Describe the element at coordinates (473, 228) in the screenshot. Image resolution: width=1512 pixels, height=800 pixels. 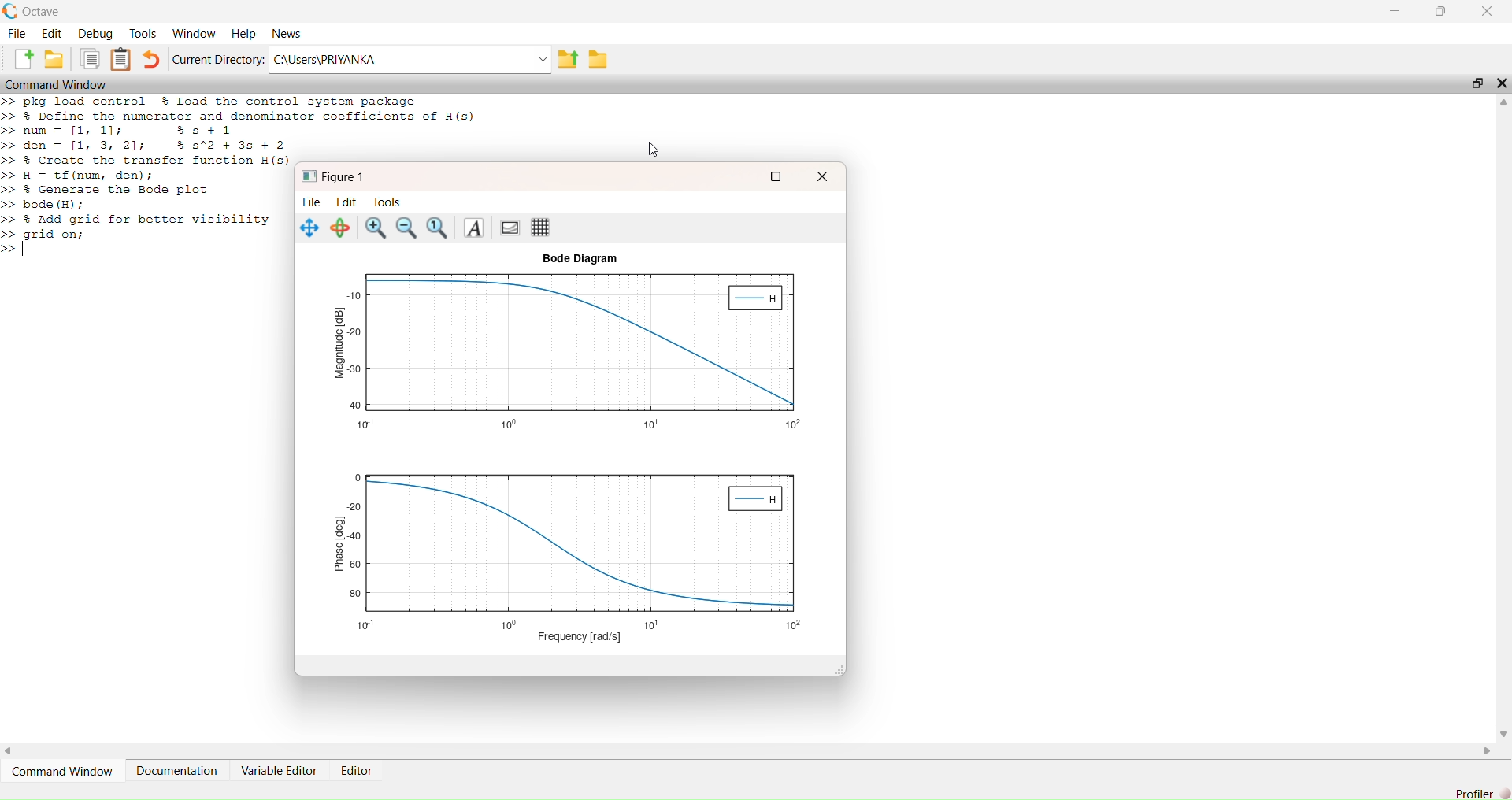
I see `Insert text` at that location.